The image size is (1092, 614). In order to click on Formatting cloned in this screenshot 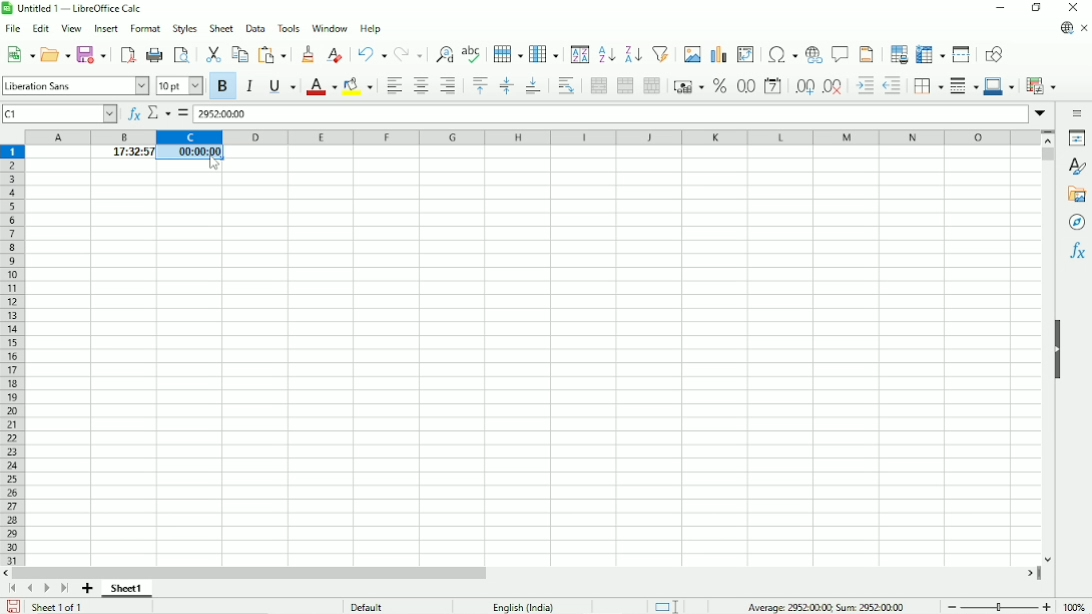, I will do `click(190, 153)`.